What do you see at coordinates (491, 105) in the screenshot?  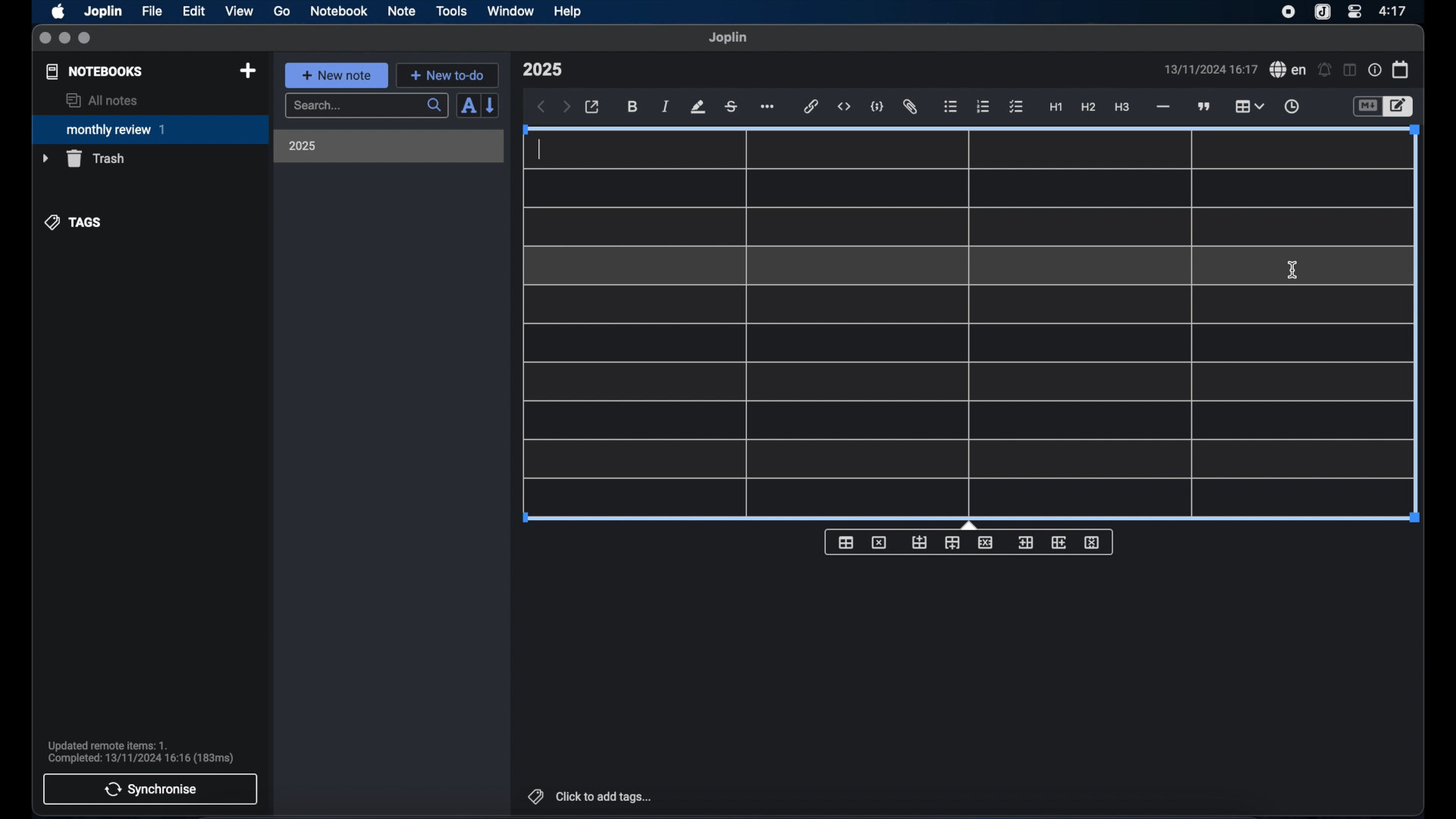 I see `reverse sort order` at bounding box center [491, 105].